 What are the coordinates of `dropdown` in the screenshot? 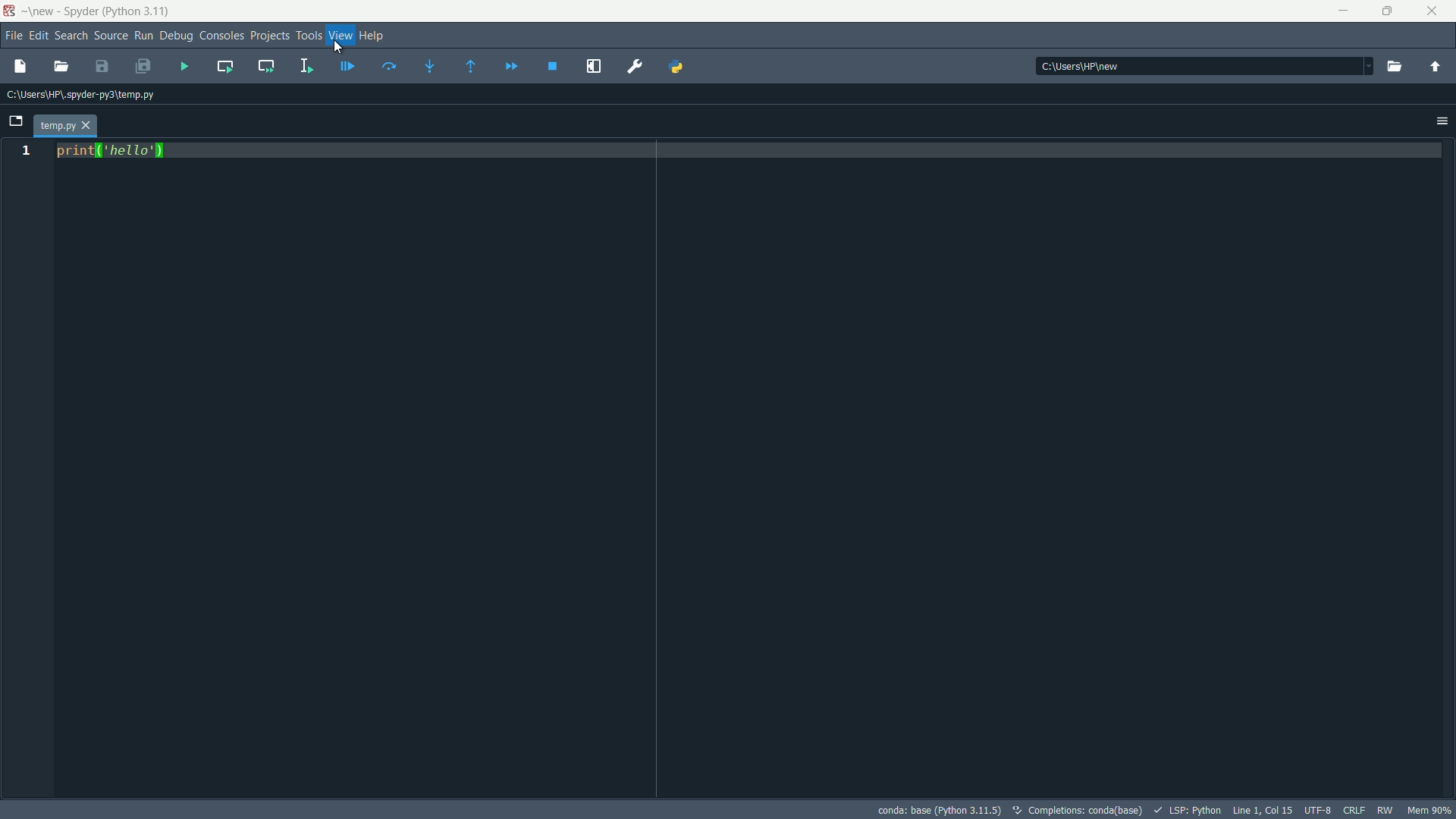 It's located at (1361, 64).